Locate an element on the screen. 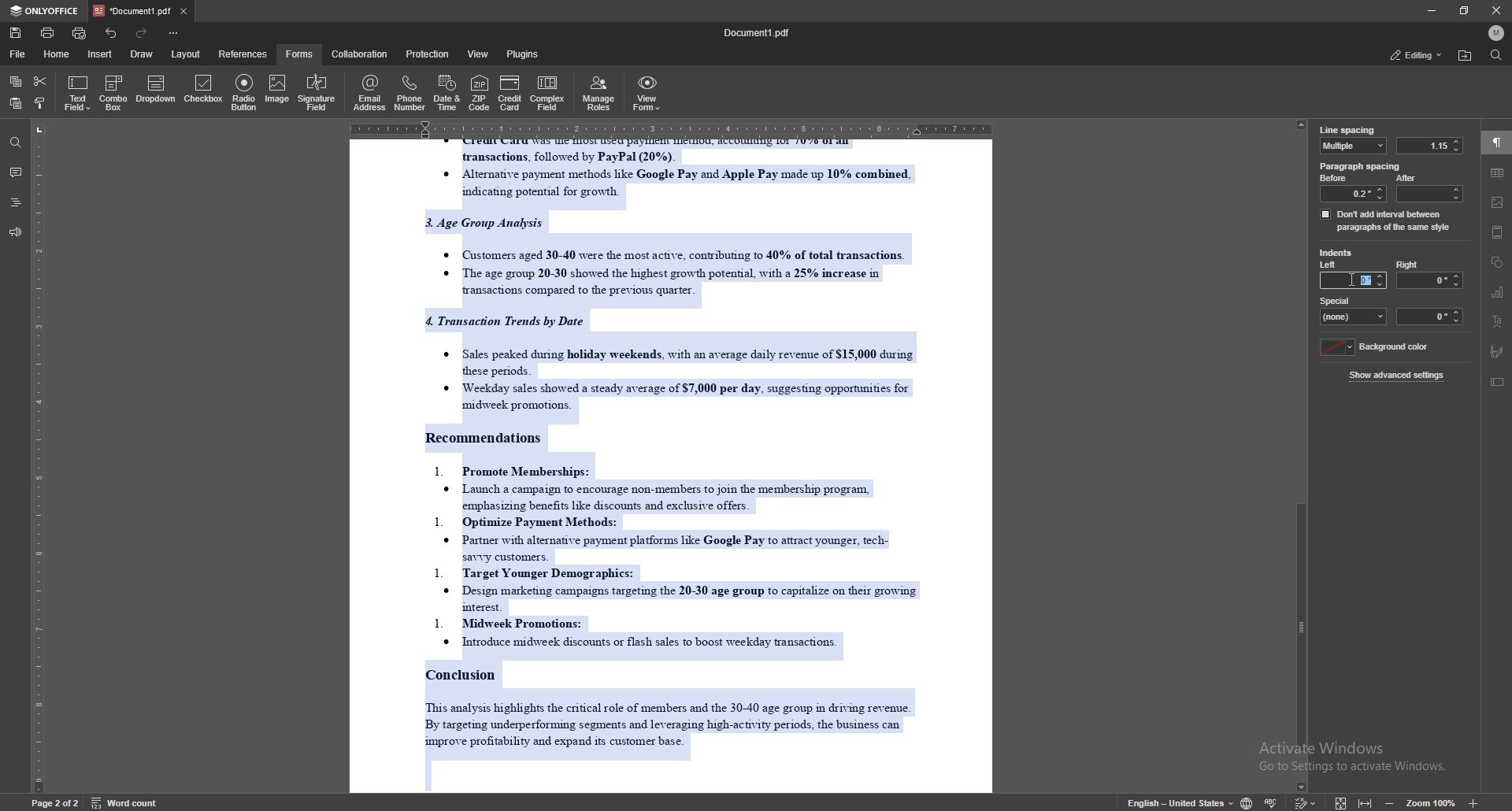 The image size is (1512, 811). draw is located at coordinates (144, 53).